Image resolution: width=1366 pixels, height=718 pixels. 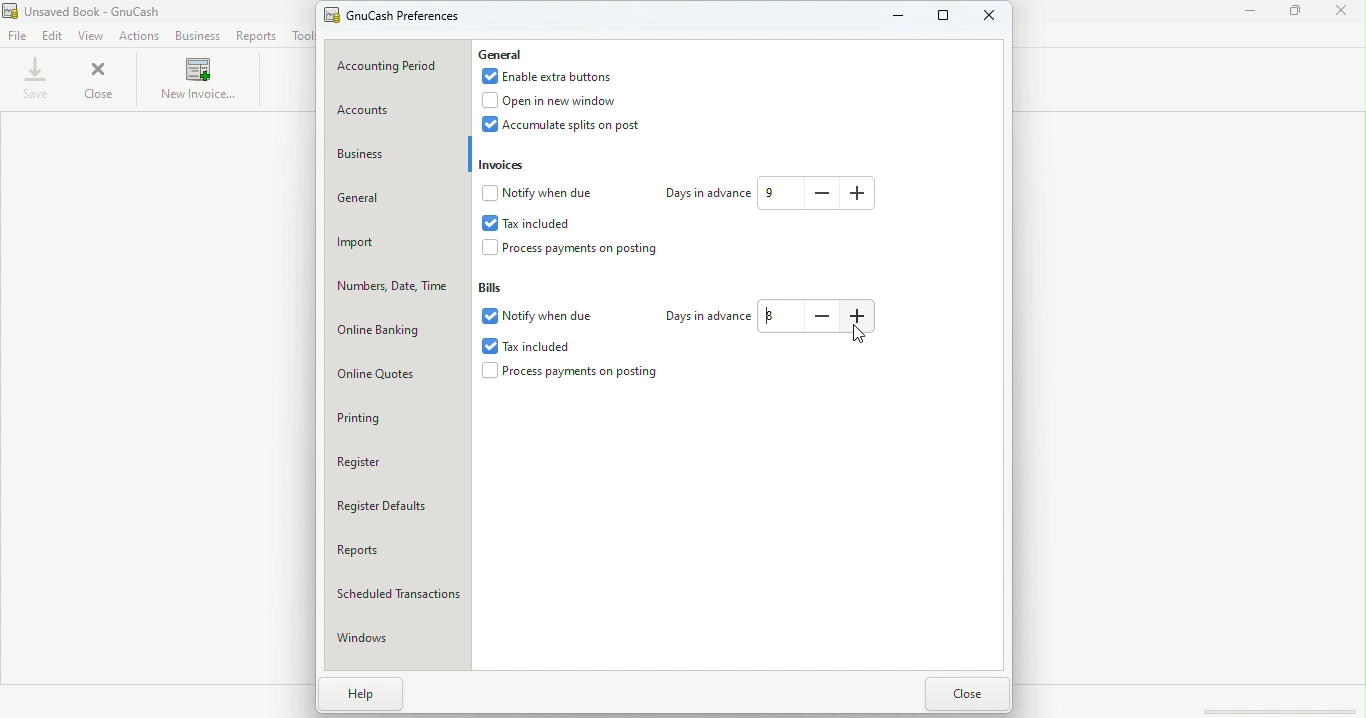 I want to click on Enable extra buttons, so click(x=555, y=78).